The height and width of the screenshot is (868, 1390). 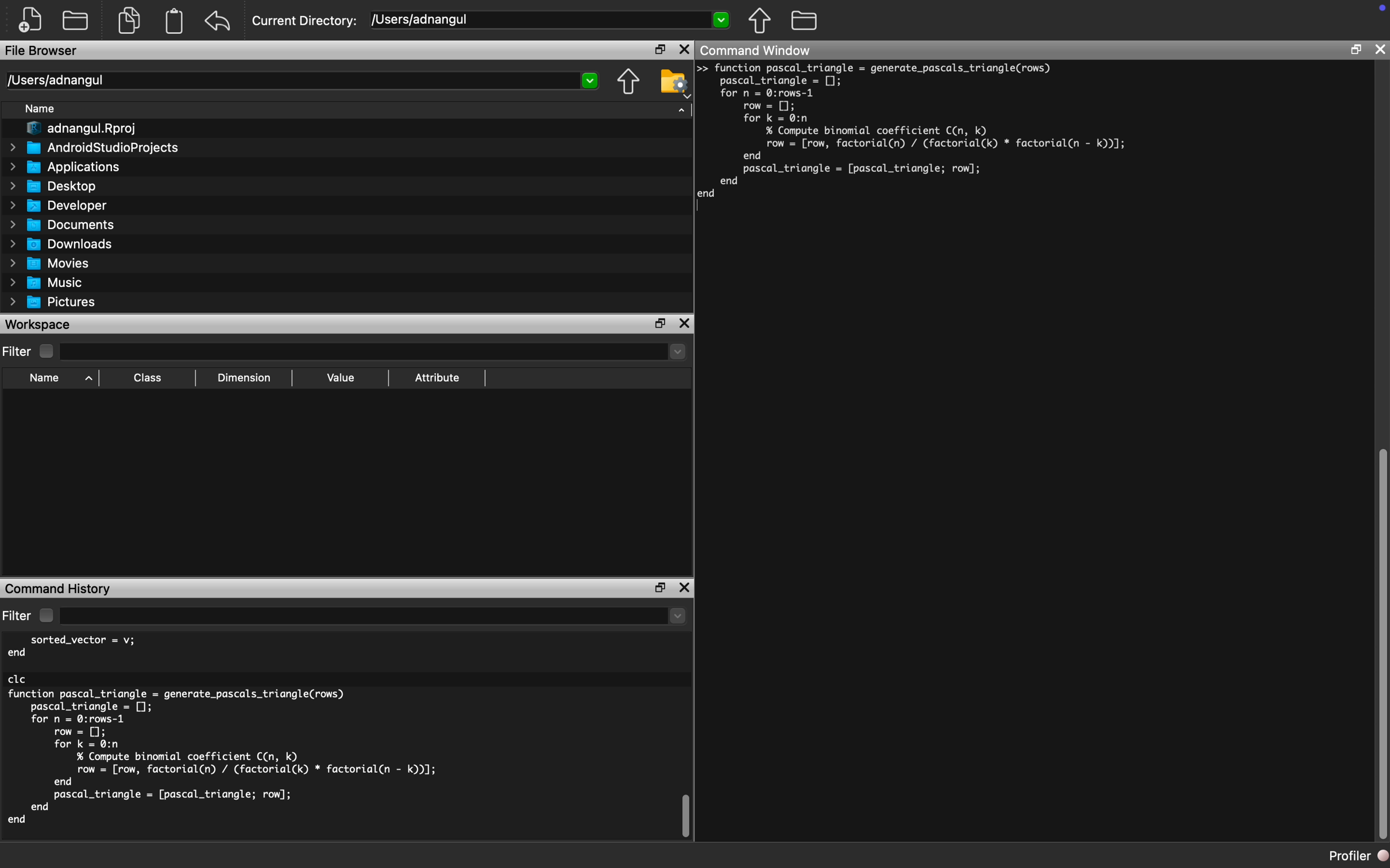 I want to click on function pascal_triangle = generate_pascals_triangle(rows)
pascal_triangle = [];
for n = @:rows-1
row = [1;
for k = 0:n
% Compute binomial coefficient C(n, k)
row = [row, factorial(n) / (factorial(k) * factorial(n - k))];
end
pascal_triangle = [pascal_triangle; row];
end, so click(x=921, y=131).